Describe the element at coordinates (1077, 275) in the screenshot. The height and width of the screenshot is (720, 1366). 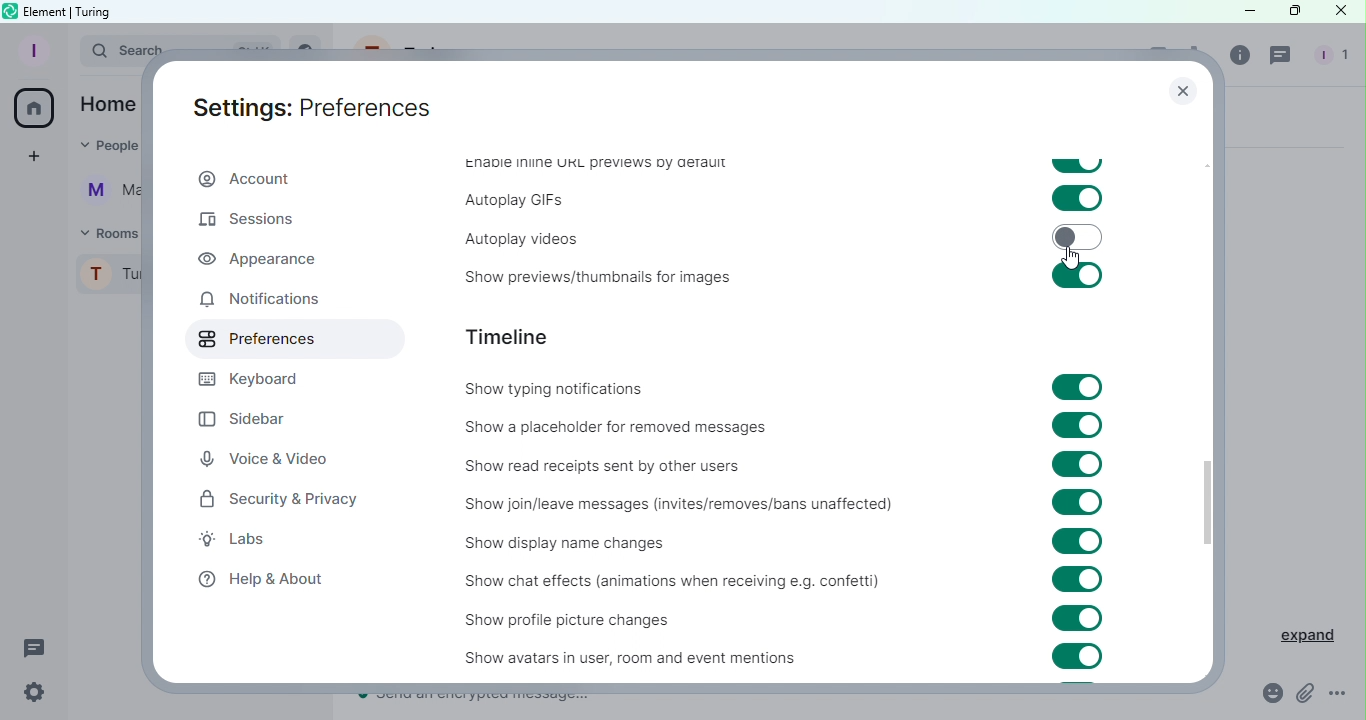
I see `Toggle` at that location.